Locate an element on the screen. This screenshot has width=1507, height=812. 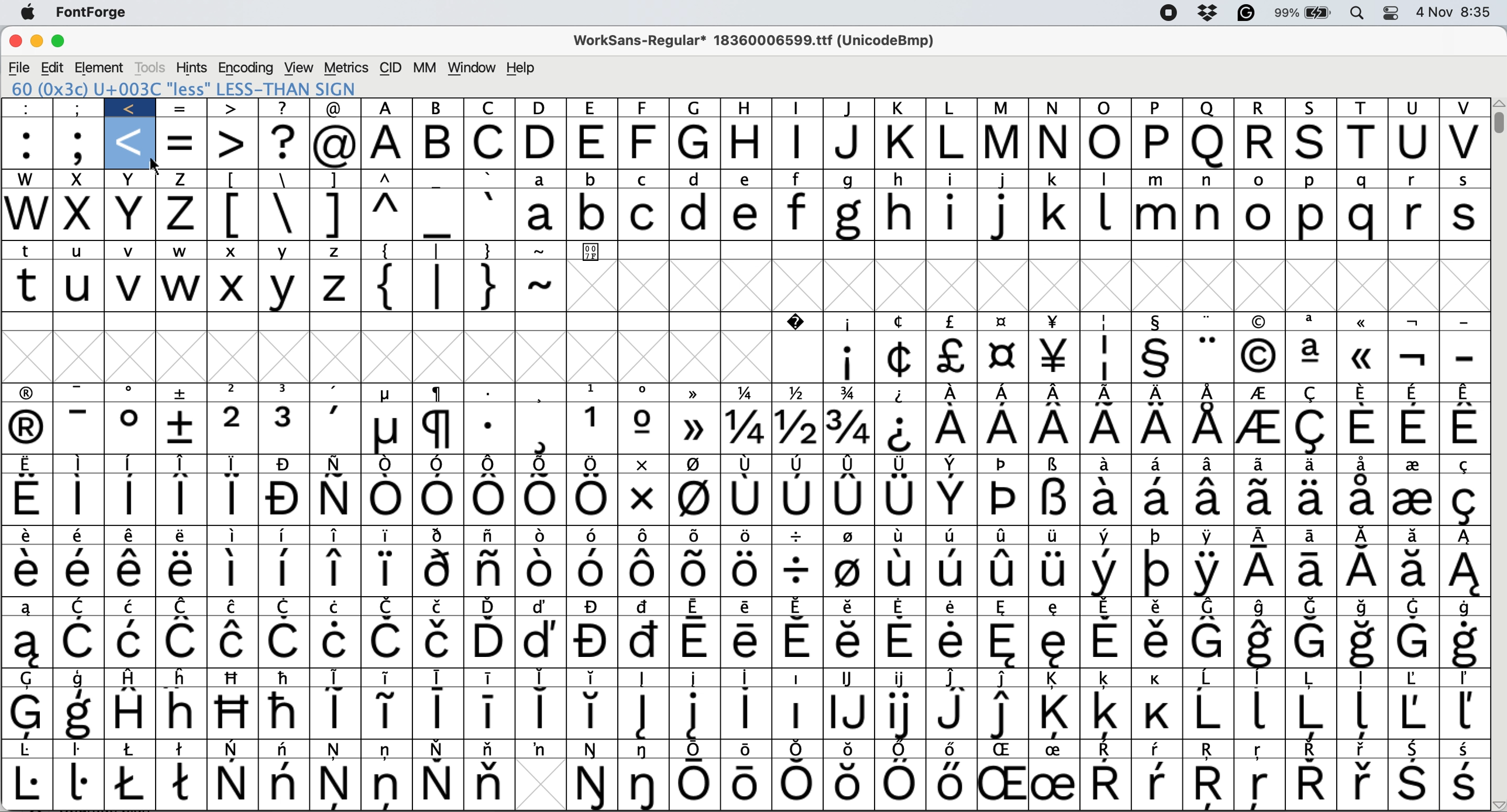
Symbol is located at coordinates (1108, 680).